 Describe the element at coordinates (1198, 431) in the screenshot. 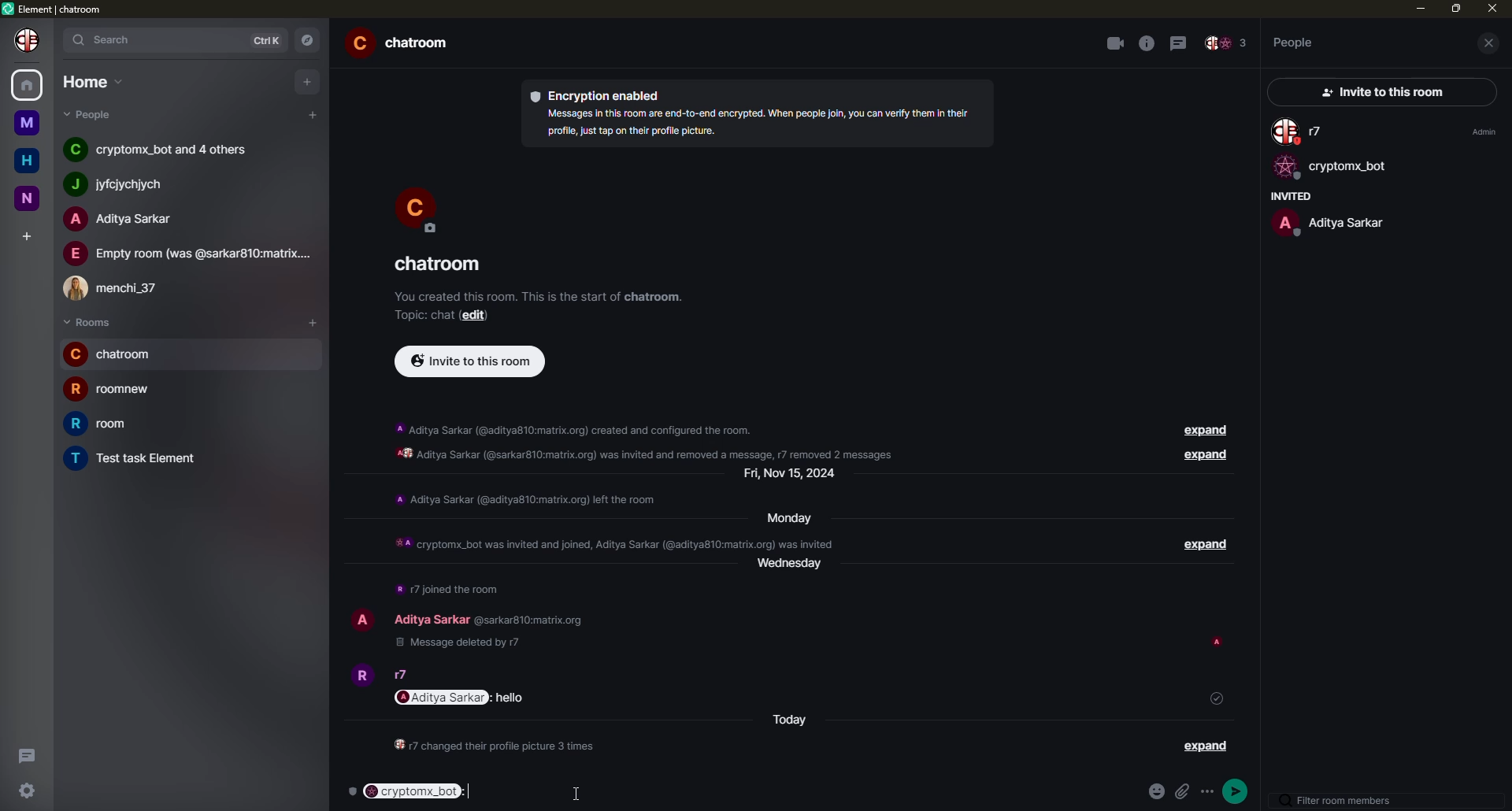

I see `expand` at that location.